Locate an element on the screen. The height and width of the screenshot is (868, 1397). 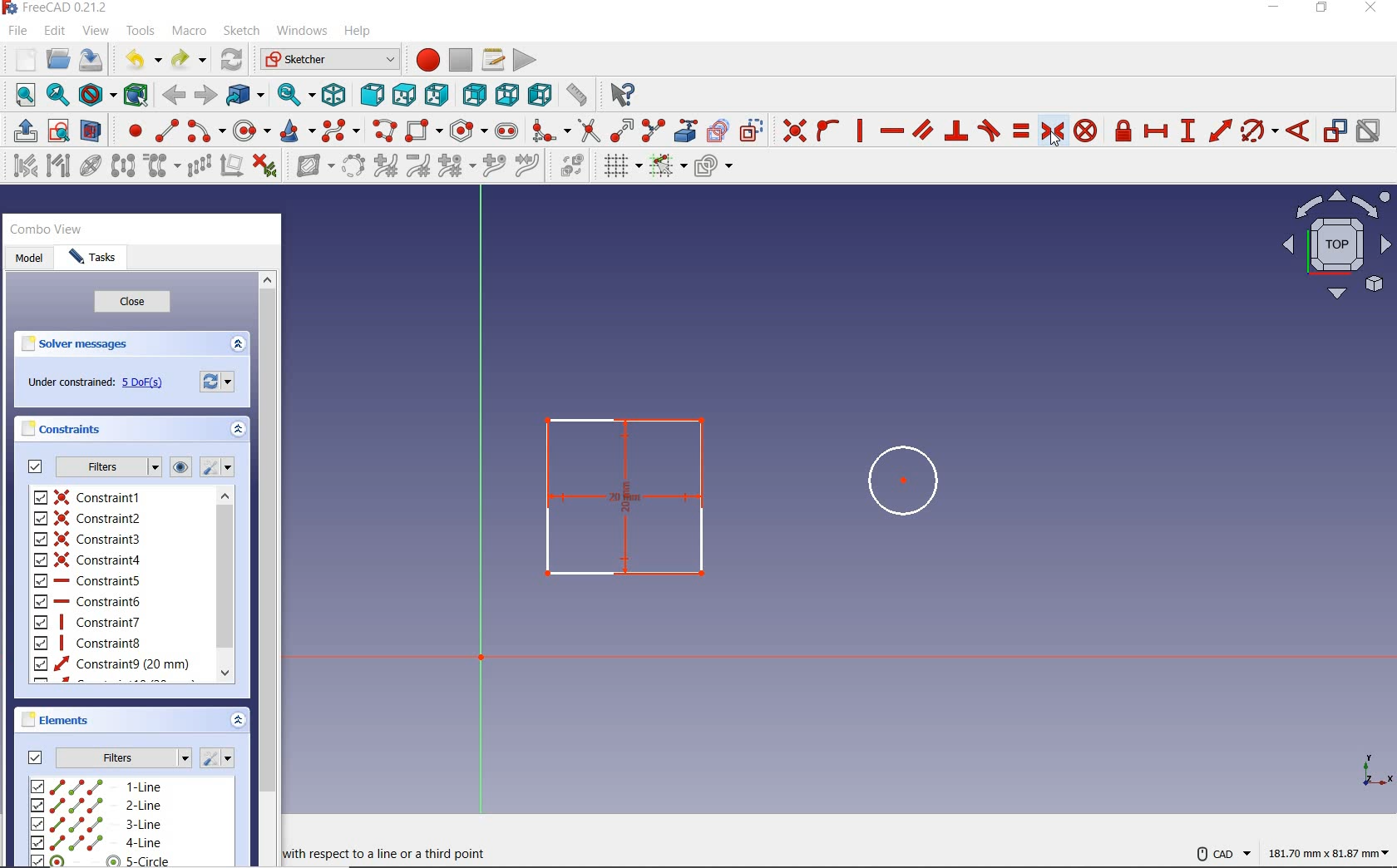
right is located at coordinates (437, 94).